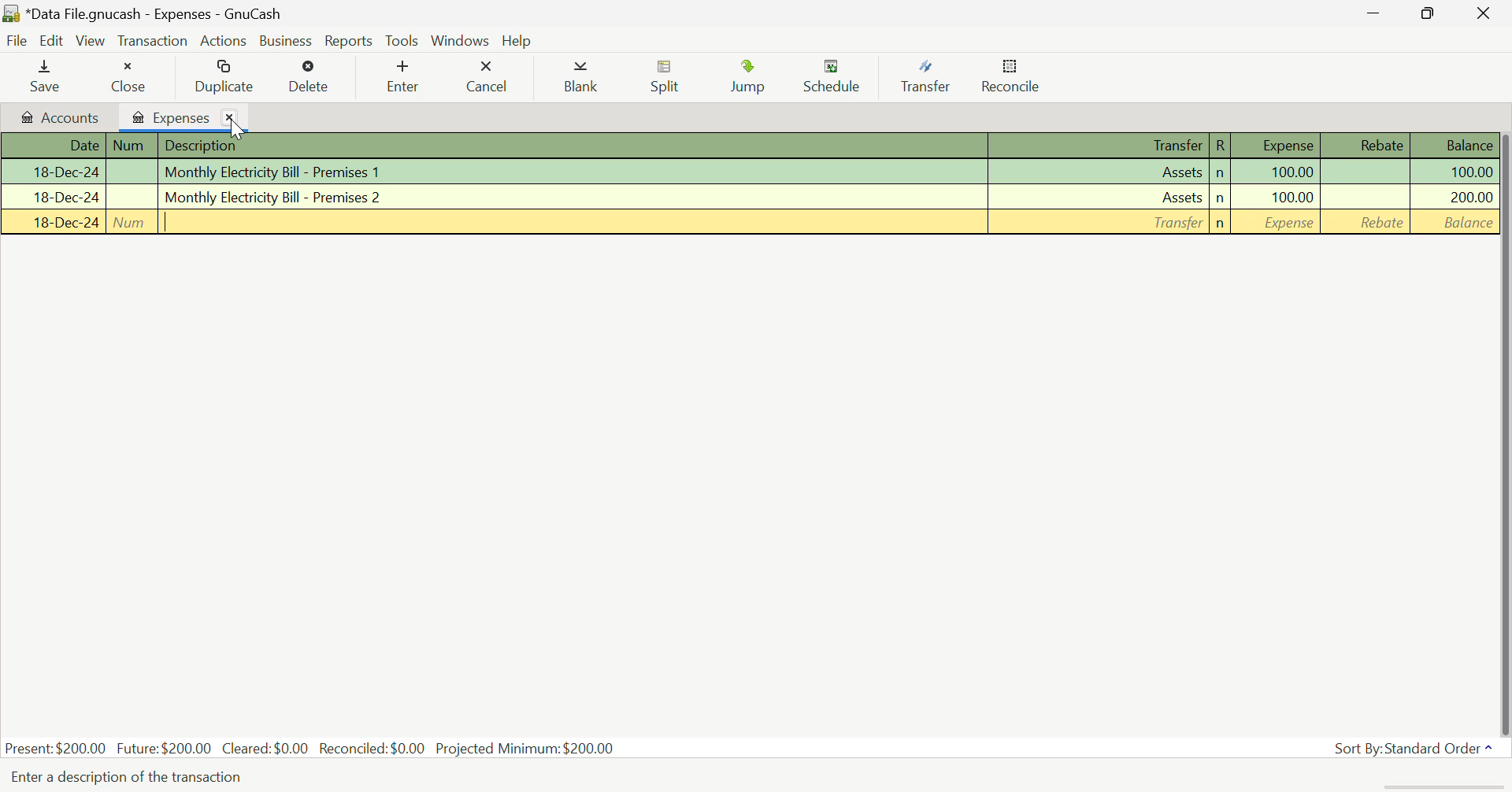 The height and width of the screenshot is (792, 1512). I want to click on Schedule, so click(835, 78).